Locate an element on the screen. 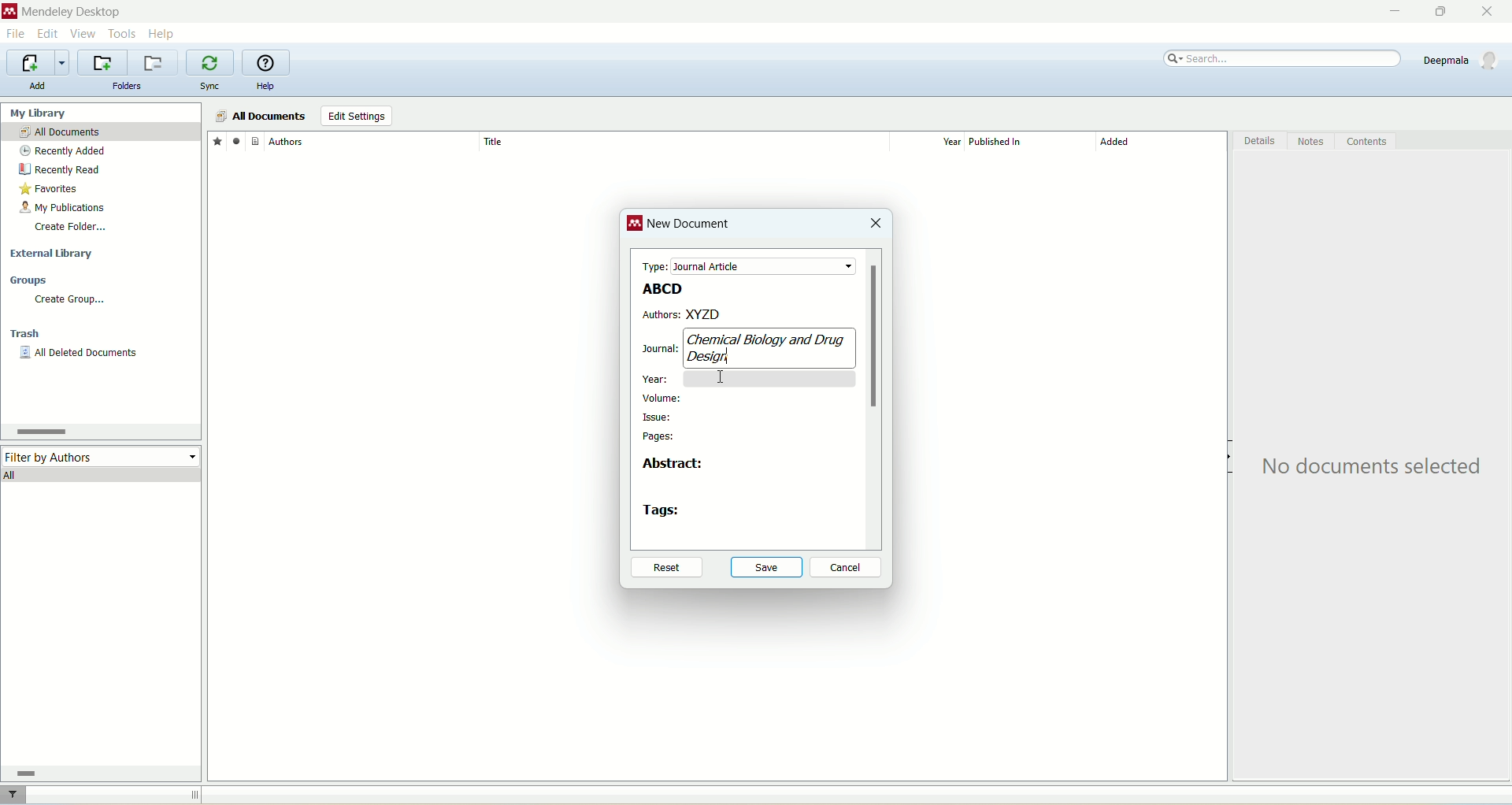 The height and width of the screenshot is (805, 1512). add is located at coordinates (37, 86).